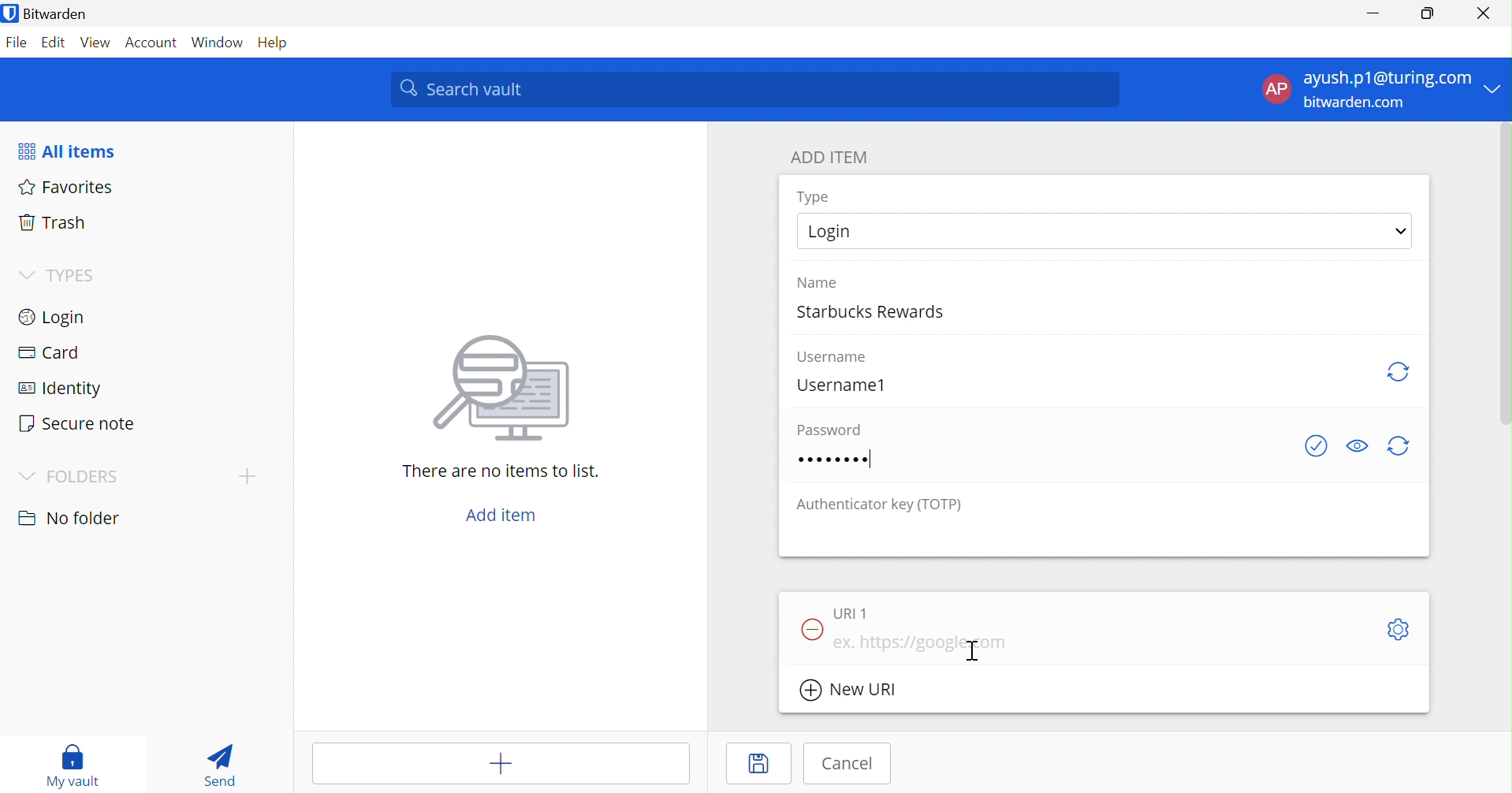 The width and height of the screenshot is (1512, 793). What do you see at coordinates (505, 390) in the screenshot?
I see `Image` at bounding box center [505, 390].